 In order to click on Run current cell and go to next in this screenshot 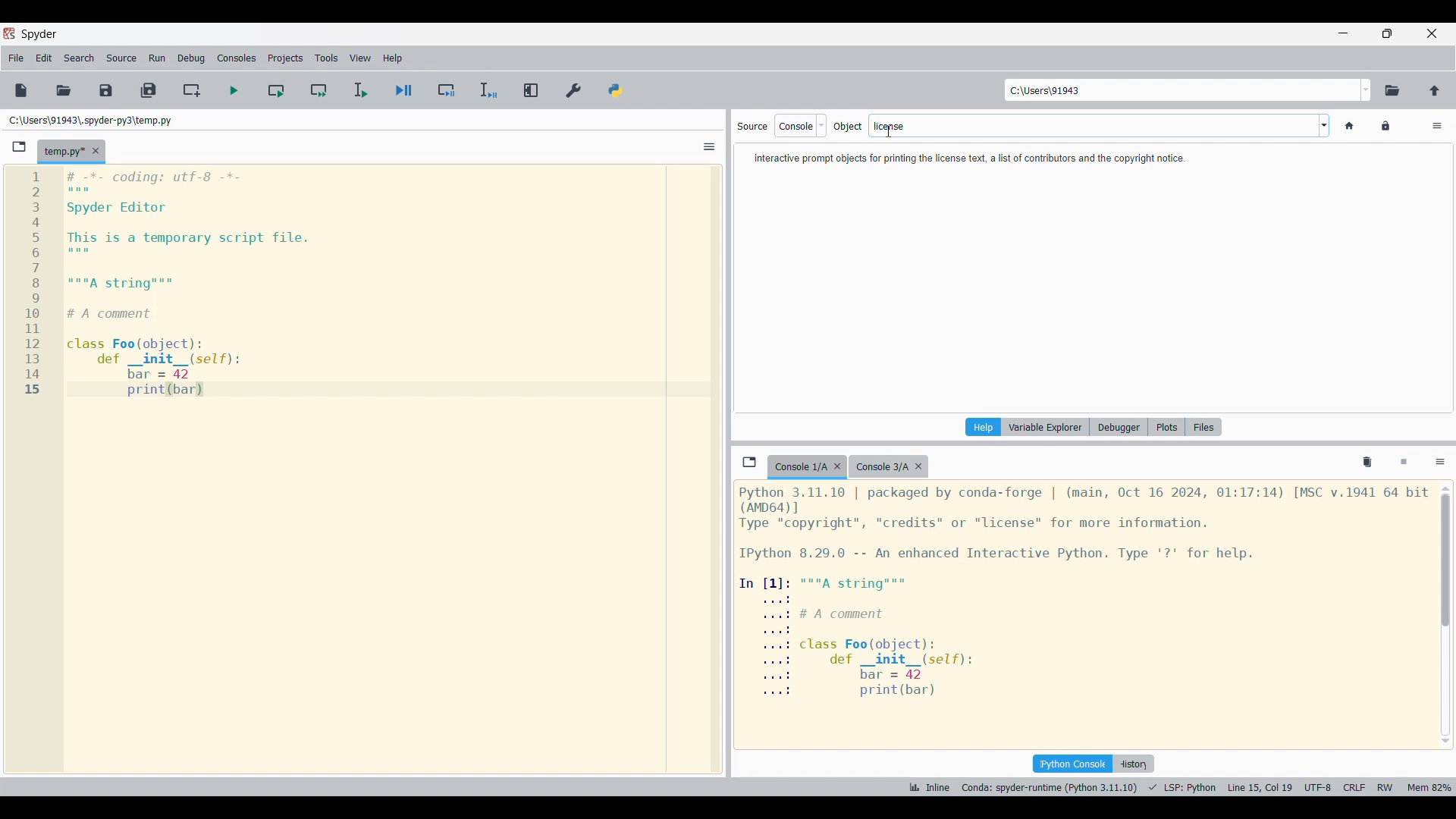, I will do `click(320, 90)`.